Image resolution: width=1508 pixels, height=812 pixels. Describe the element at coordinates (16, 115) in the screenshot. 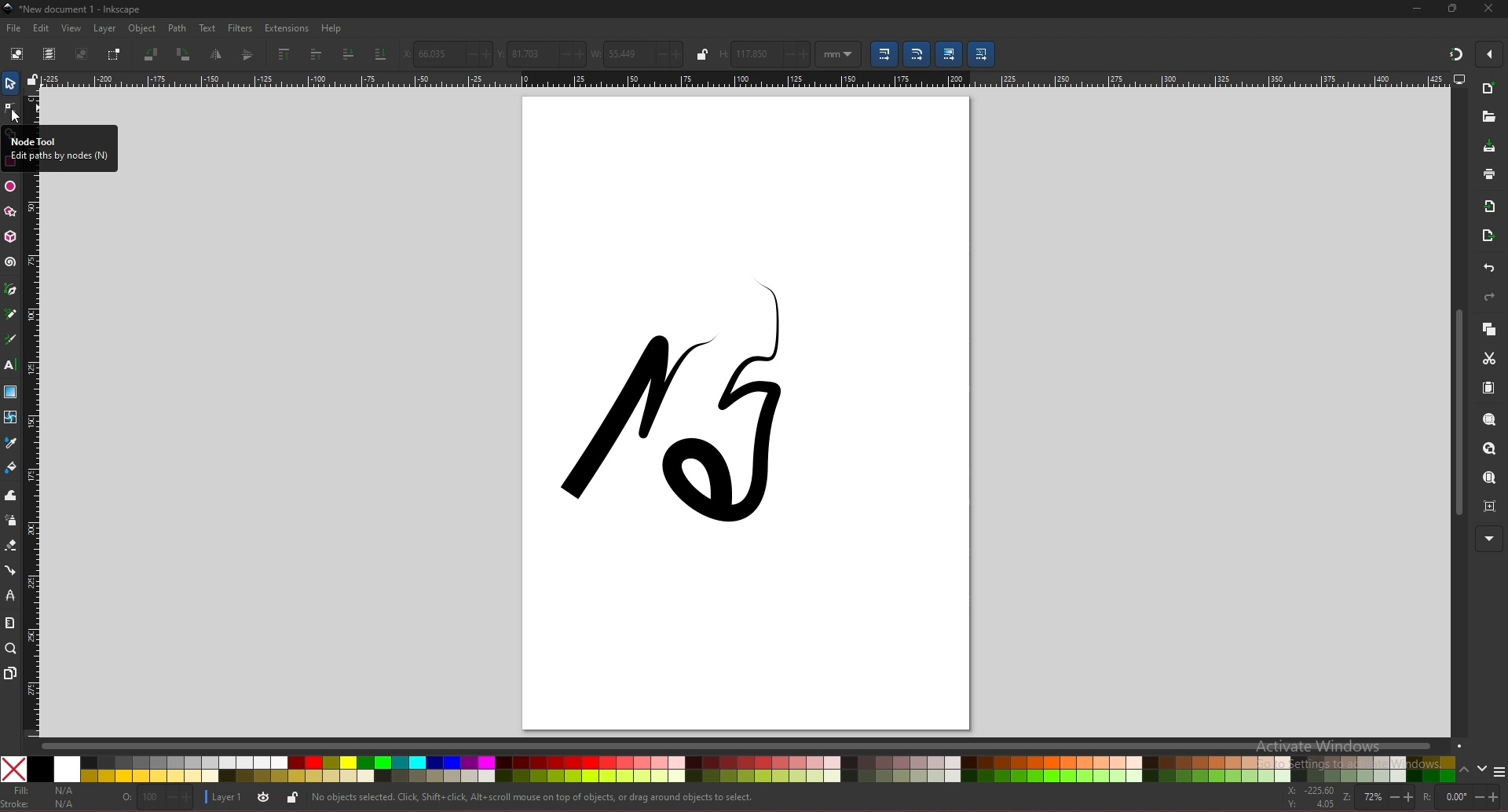

I see `cursor` at that location.